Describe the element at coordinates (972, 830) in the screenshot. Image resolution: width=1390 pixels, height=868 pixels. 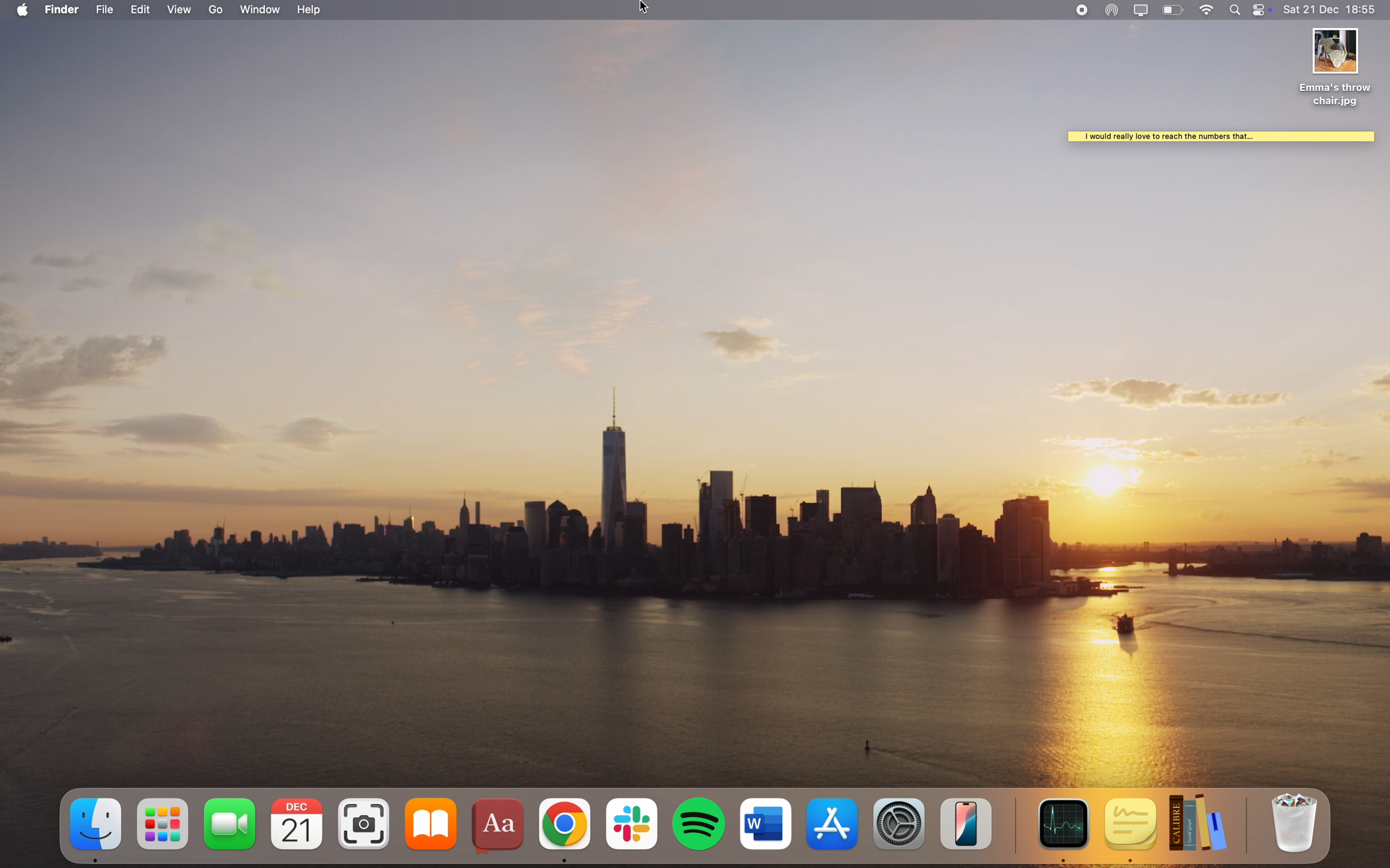
I see `iphone mirroring` at that location.